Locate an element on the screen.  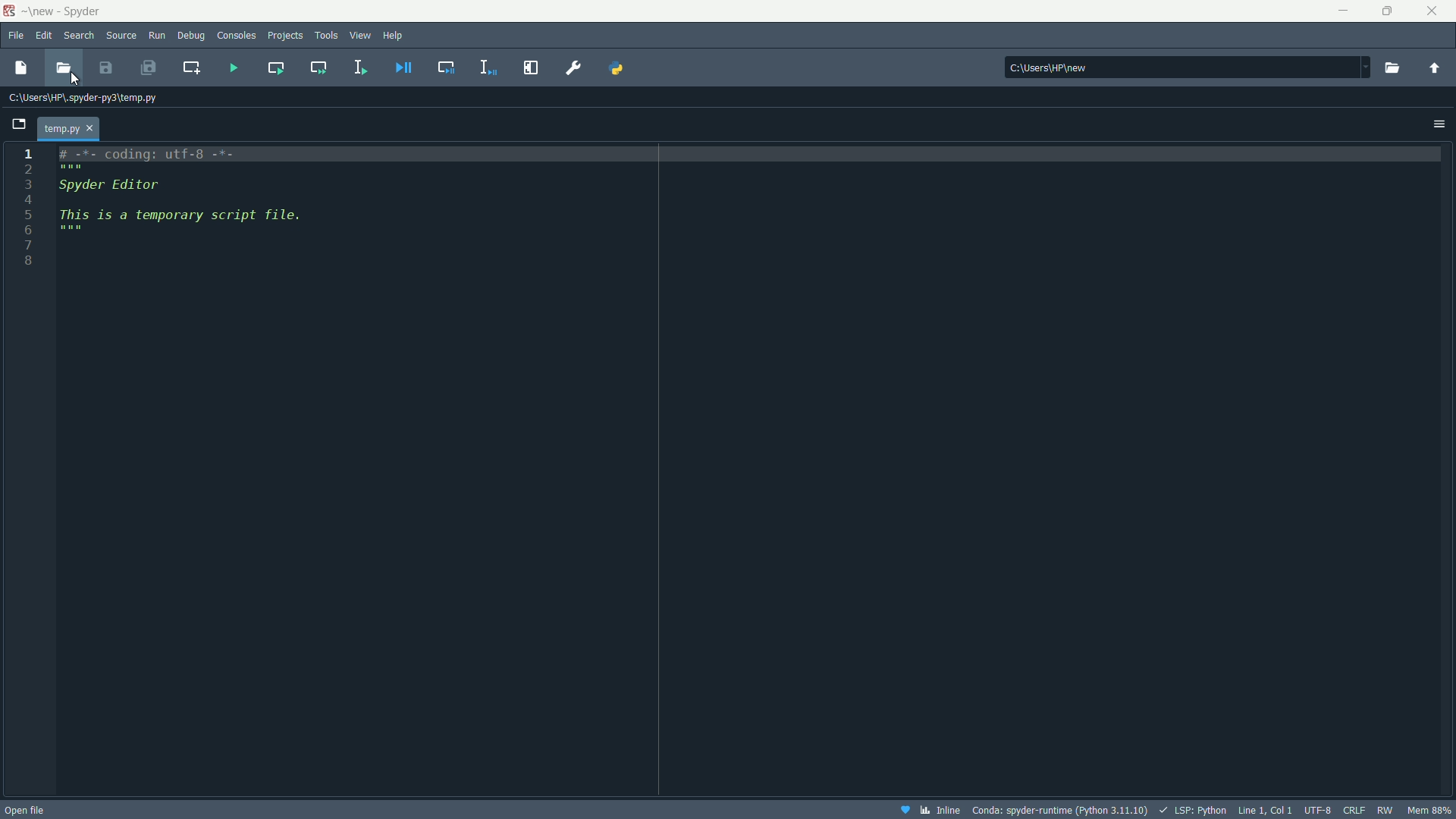
Projects menu is located at coordinates (284, 36).